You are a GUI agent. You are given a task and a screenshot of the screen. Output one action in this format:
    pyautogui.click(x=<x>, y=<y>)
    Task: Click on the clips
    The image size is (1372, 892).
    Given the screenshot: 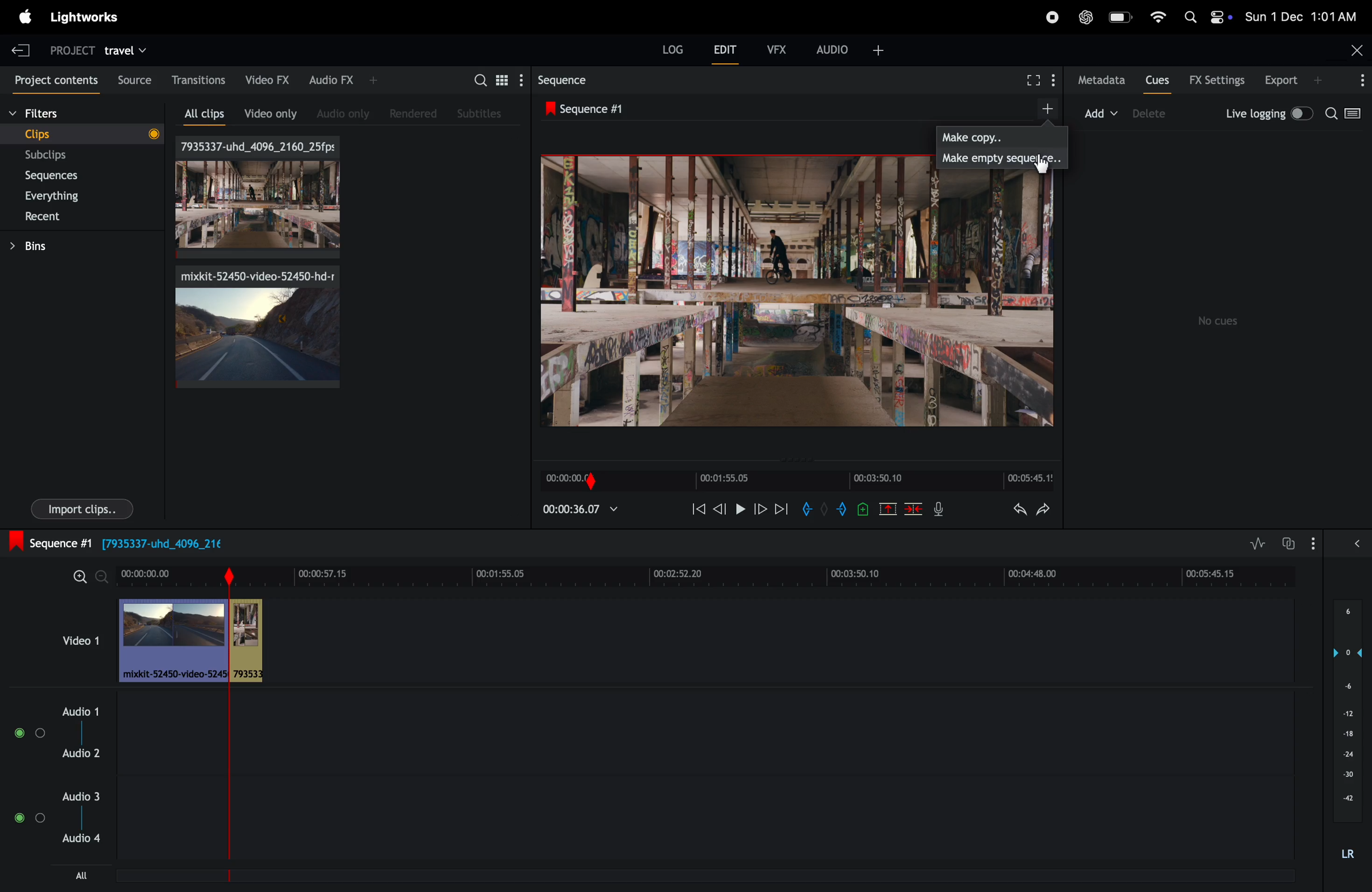 What is the action you would take?
    pyautogui.click(x=85, y=134)
    